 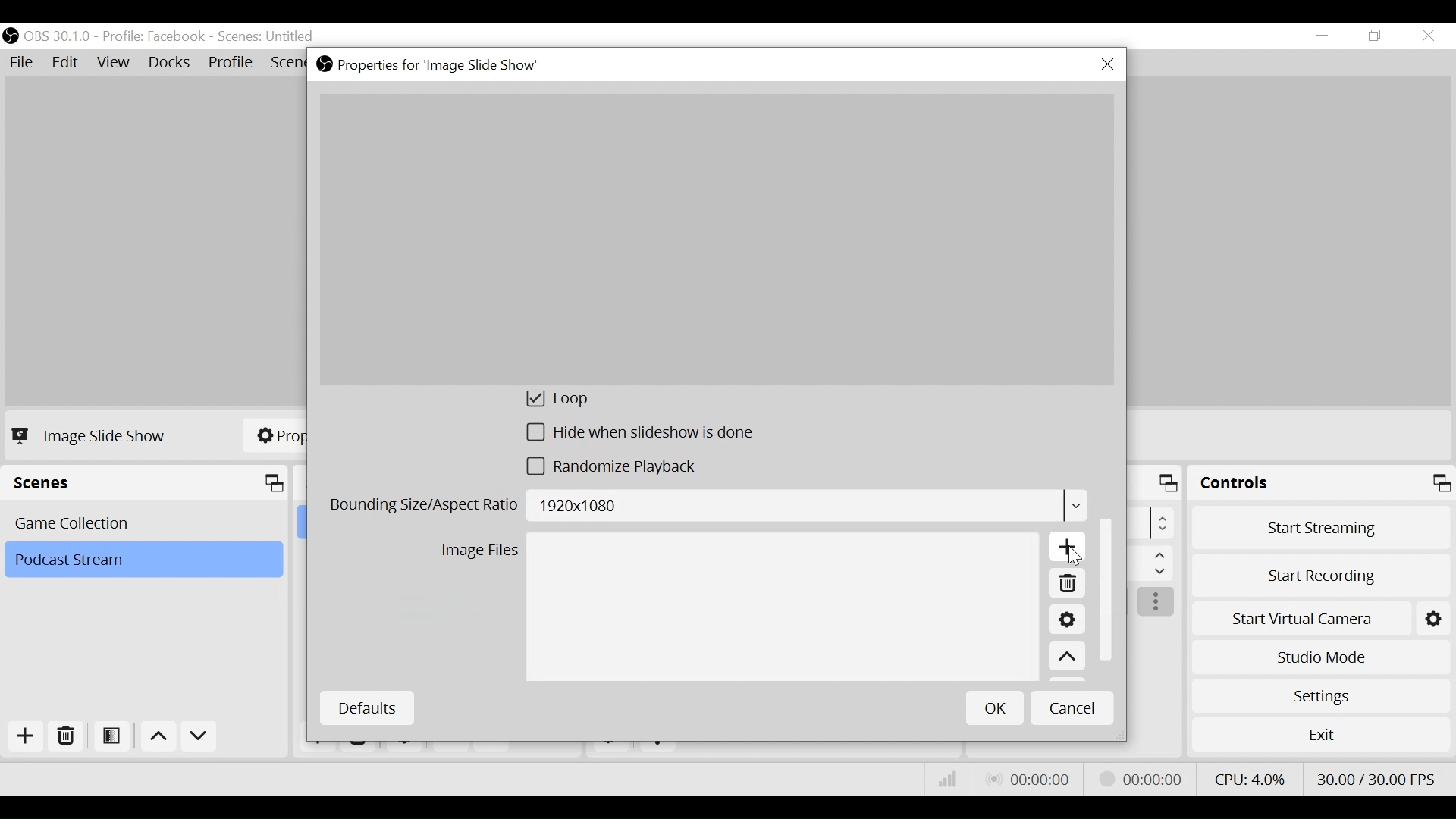 I want to click on Close, so click(x=1427, y=36).